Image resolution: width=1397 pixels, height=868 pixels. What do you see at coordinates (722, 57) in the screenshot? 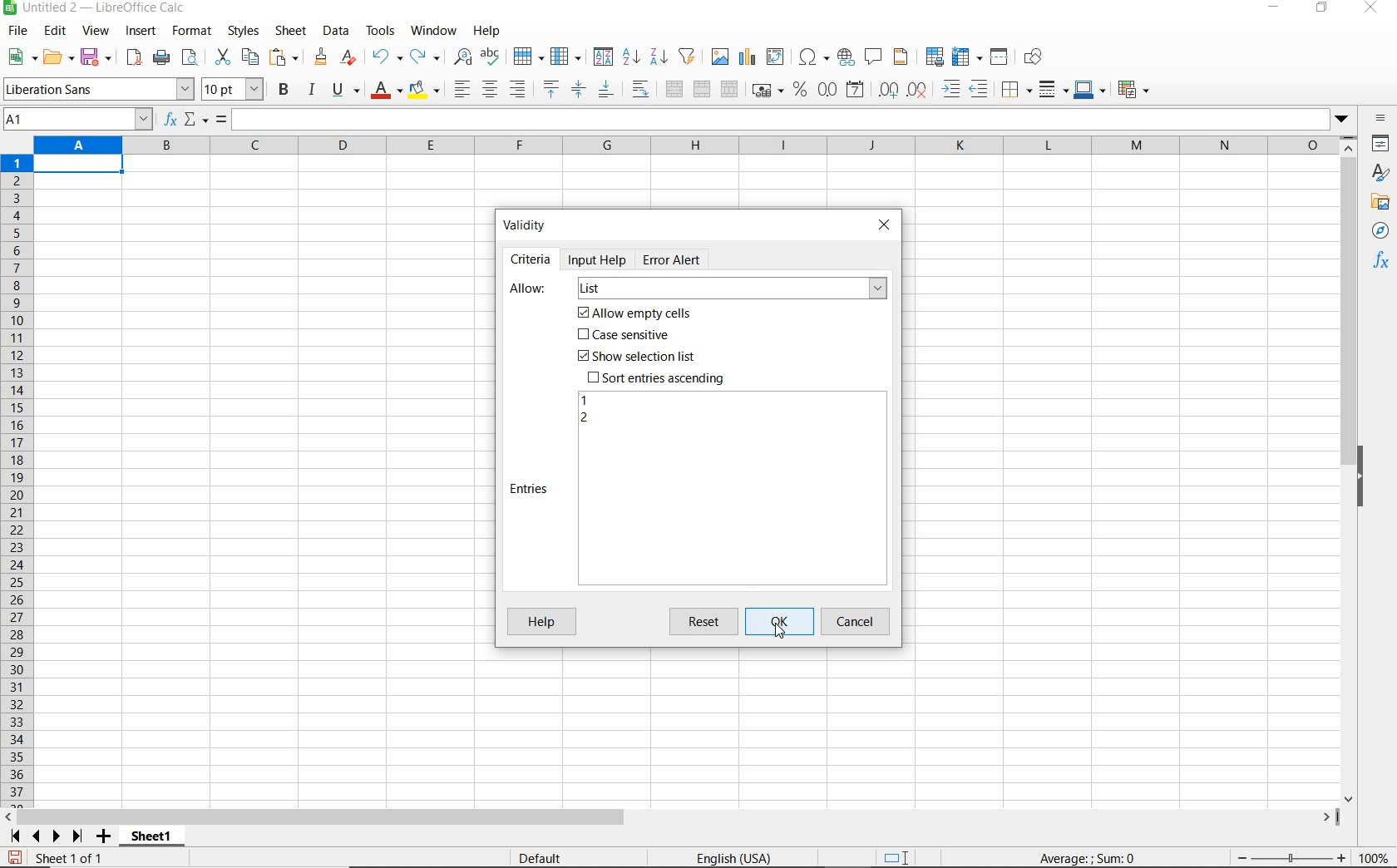
I see `insert image` at bounding box center [722, 57].